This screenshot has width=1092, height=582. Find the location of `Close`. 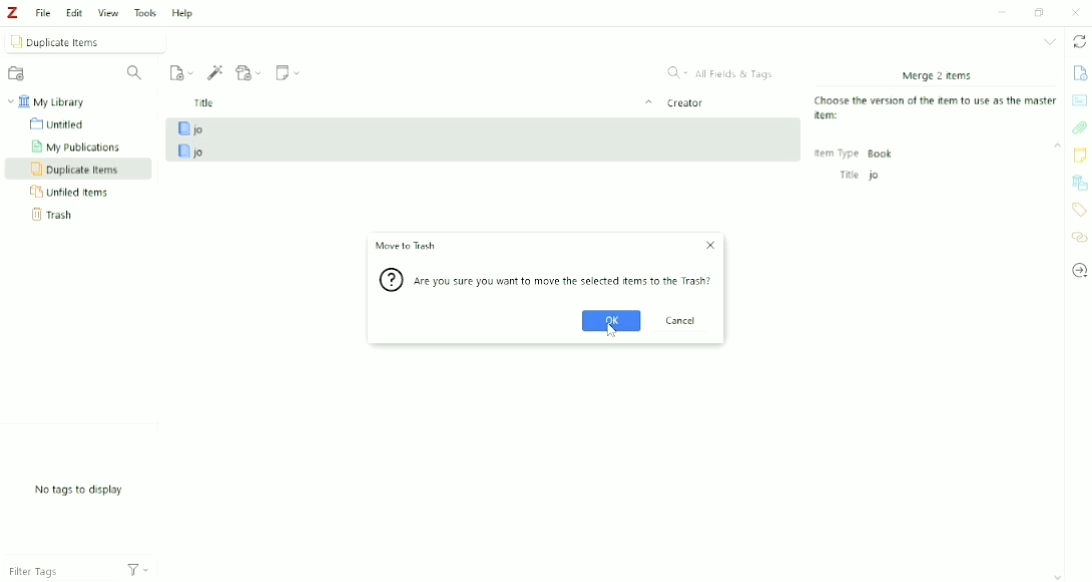

Close is located at coordinates (710, 245).